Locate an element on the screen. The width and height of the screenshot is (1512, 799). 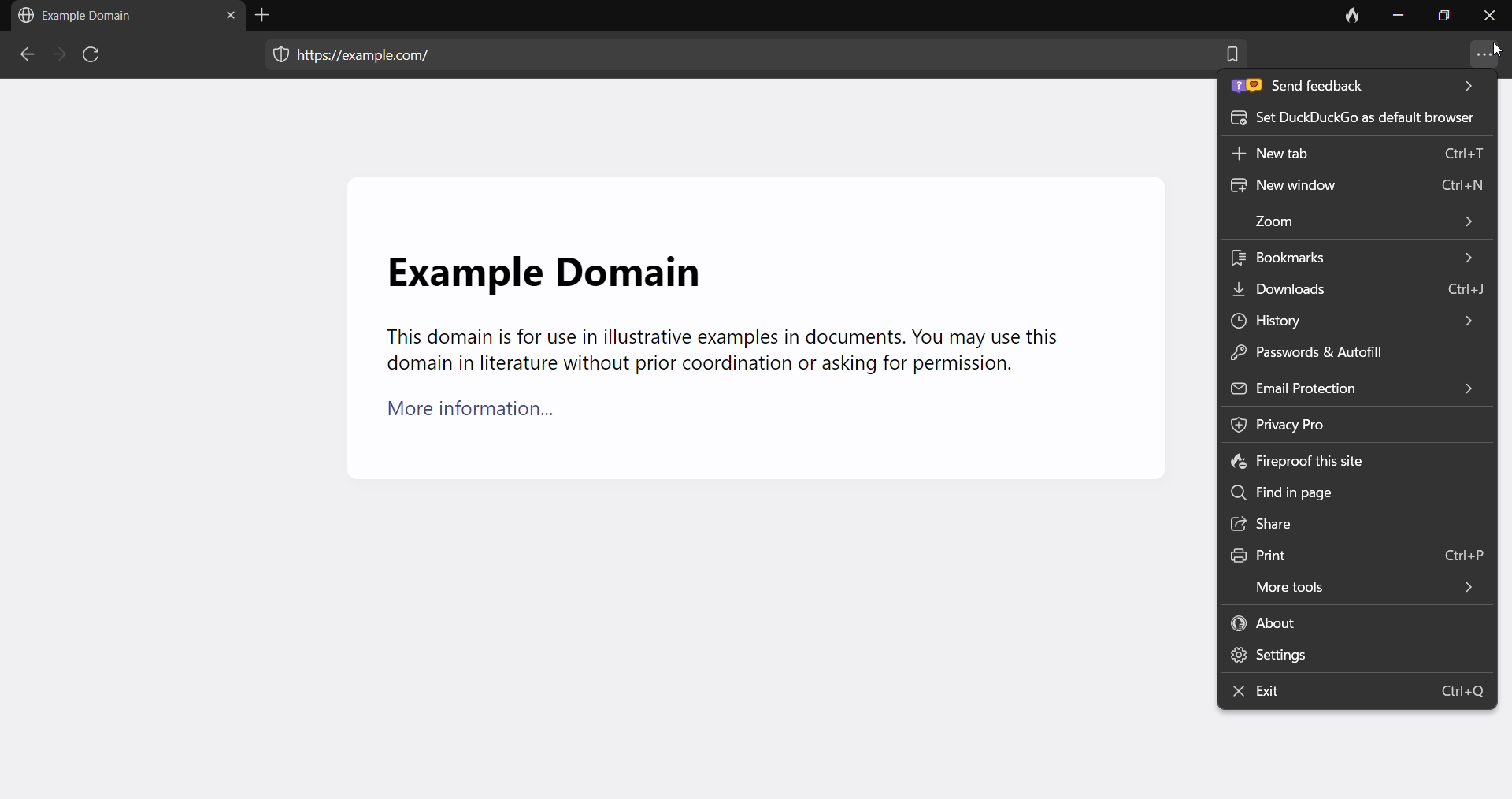
More information... is located at coordinates (481, 415).